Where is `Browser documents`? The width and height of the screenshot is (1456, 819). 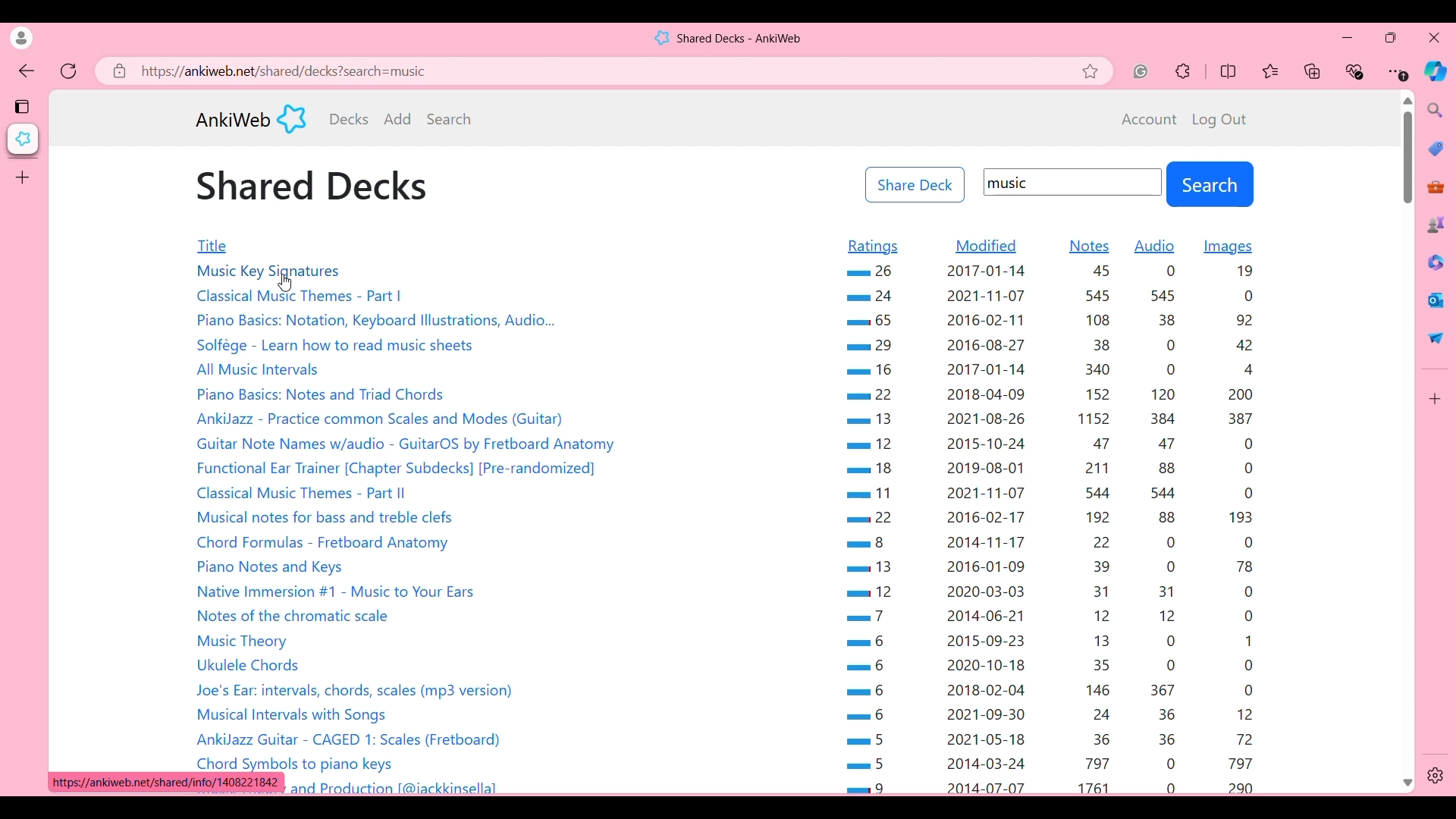 Browser documents is located at coordinates (1435, 262).